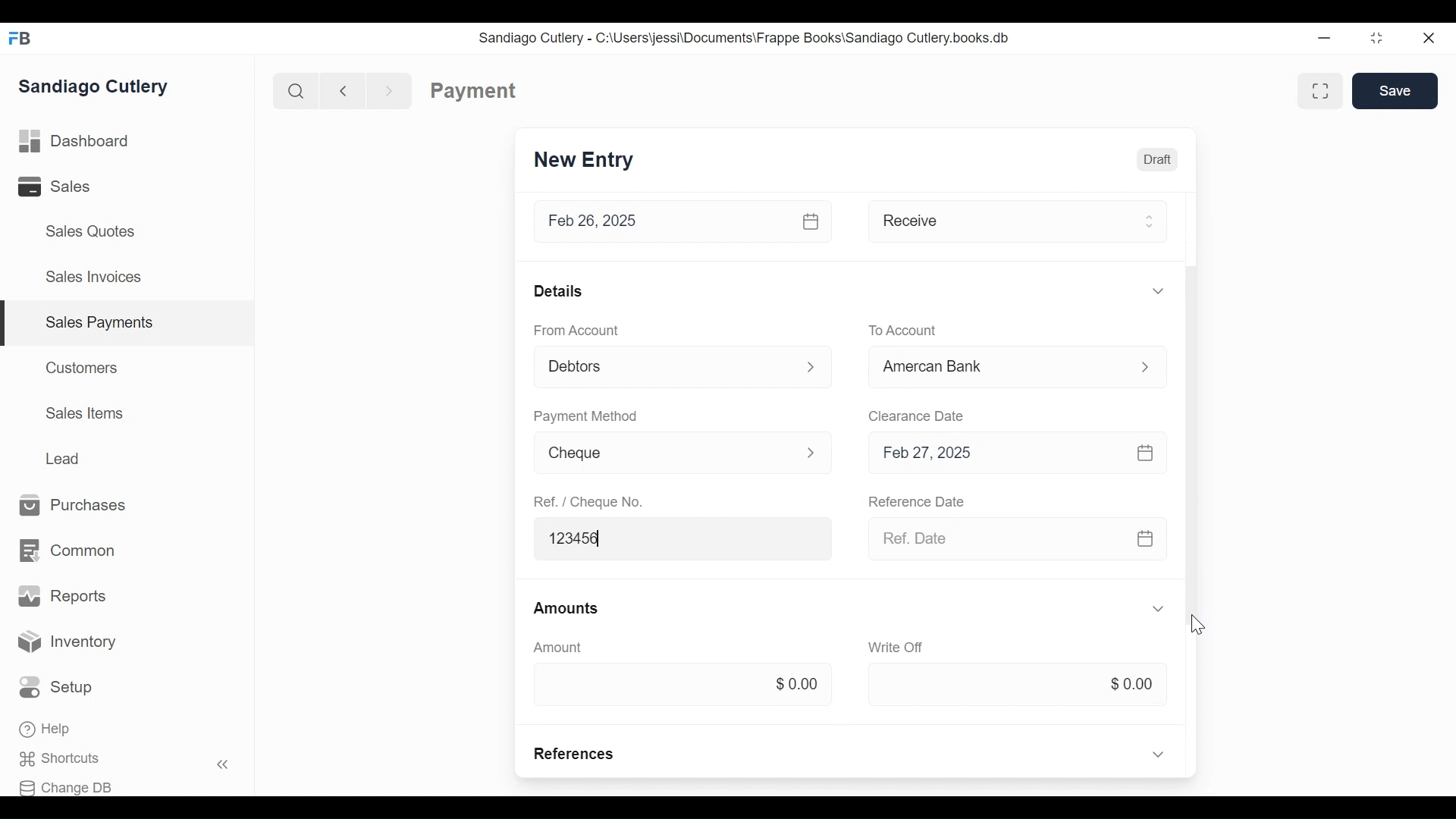  Describe the element at coordinates (1430, 38) in the screenshot. I see `Close ` at that location.